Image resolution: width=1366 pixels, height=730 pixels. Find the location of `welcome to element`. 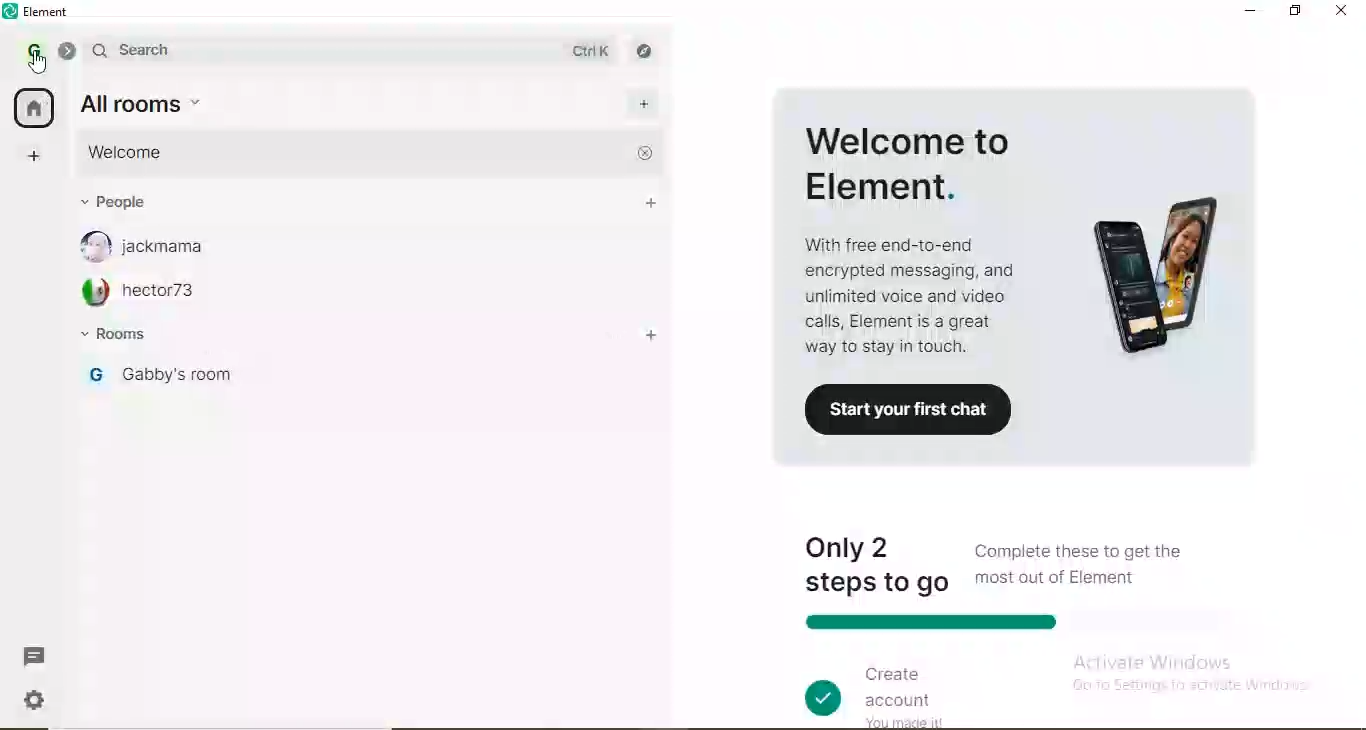

welcome to element is located at coordinates (898, 224).